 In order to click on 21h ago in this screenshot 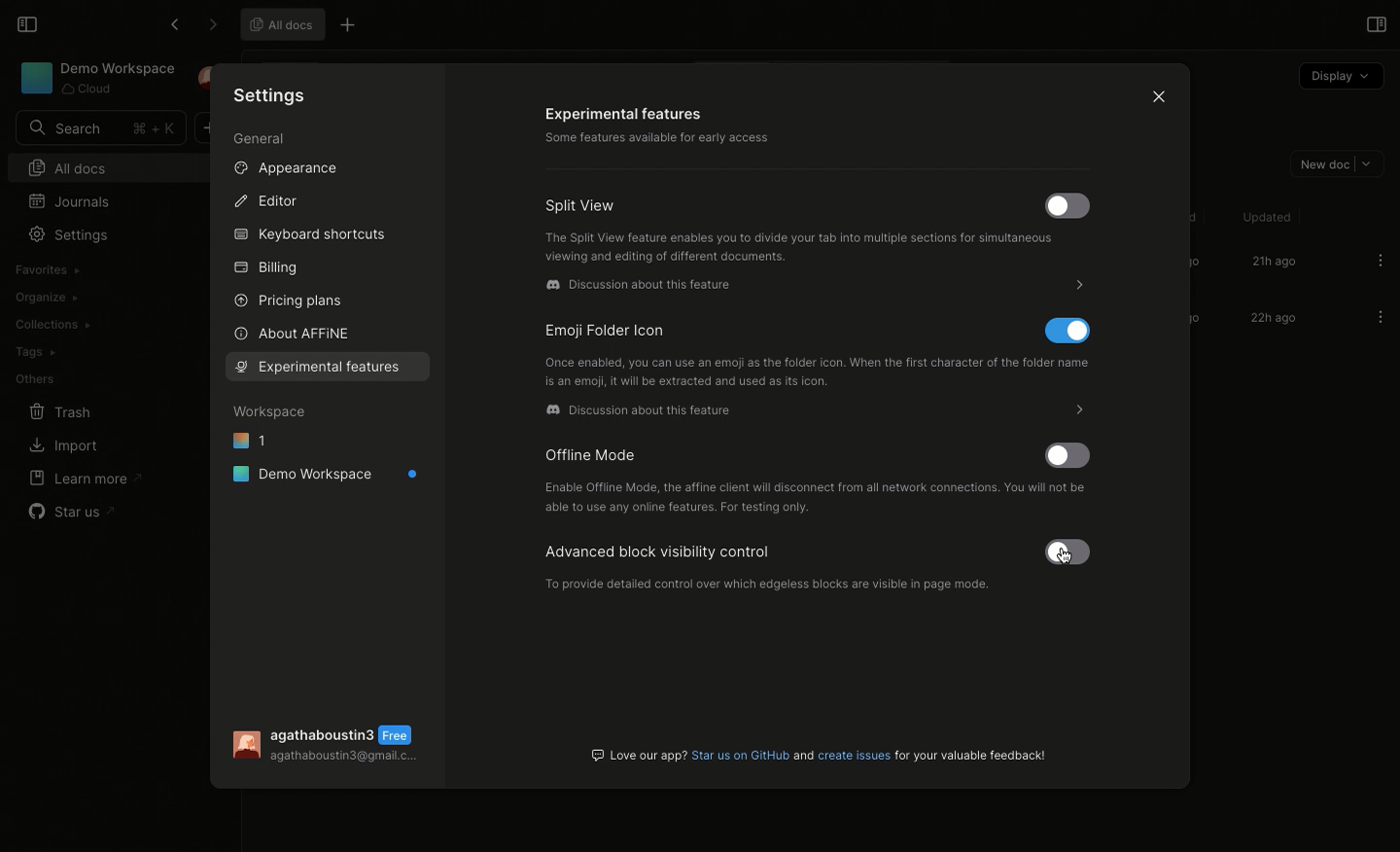, I will do `click(1273, 263)`.